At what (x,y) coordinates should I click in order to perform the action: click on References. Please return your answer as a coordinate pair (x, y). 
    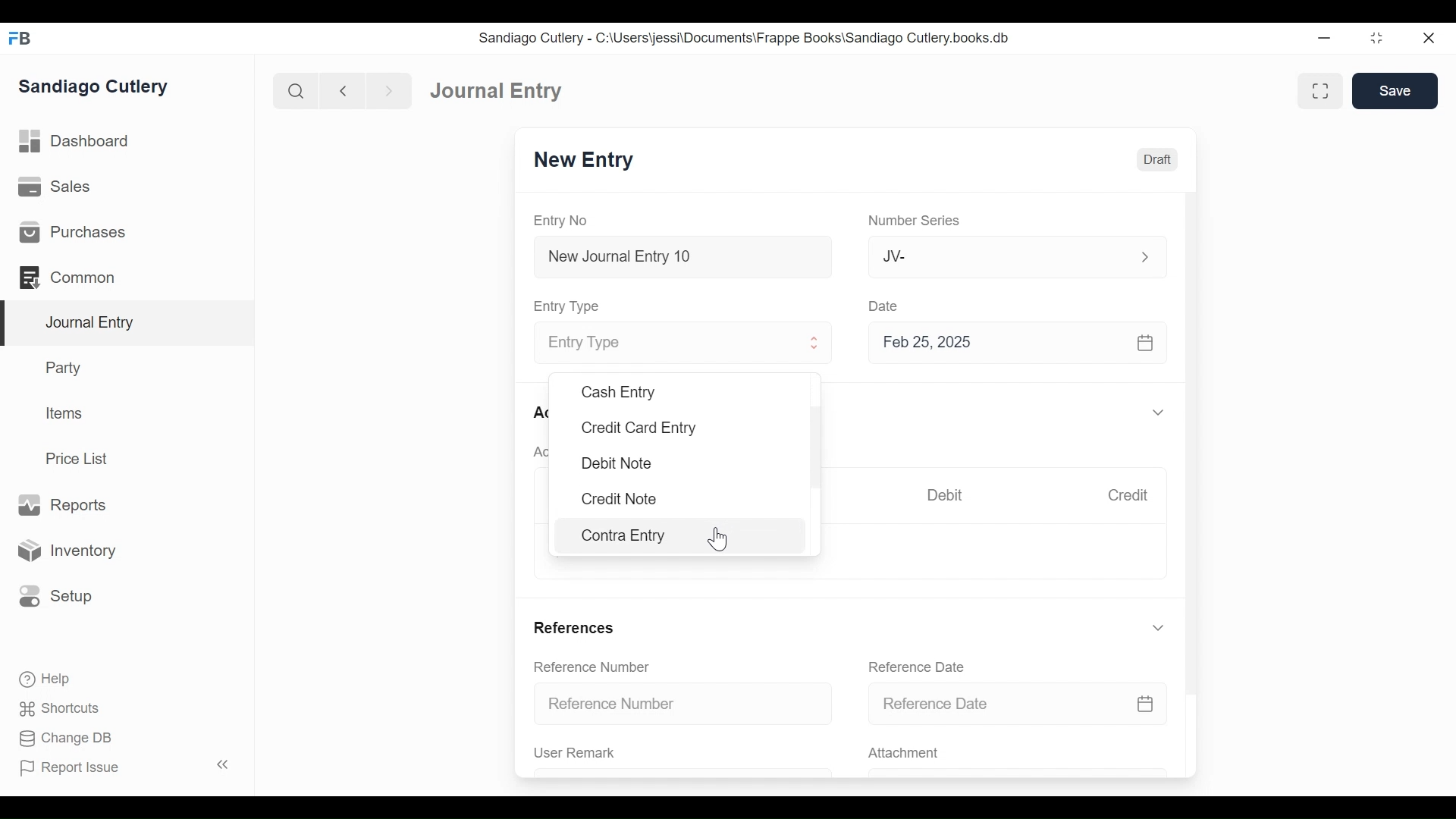
    Looking at the image, I should click on (576, 626).